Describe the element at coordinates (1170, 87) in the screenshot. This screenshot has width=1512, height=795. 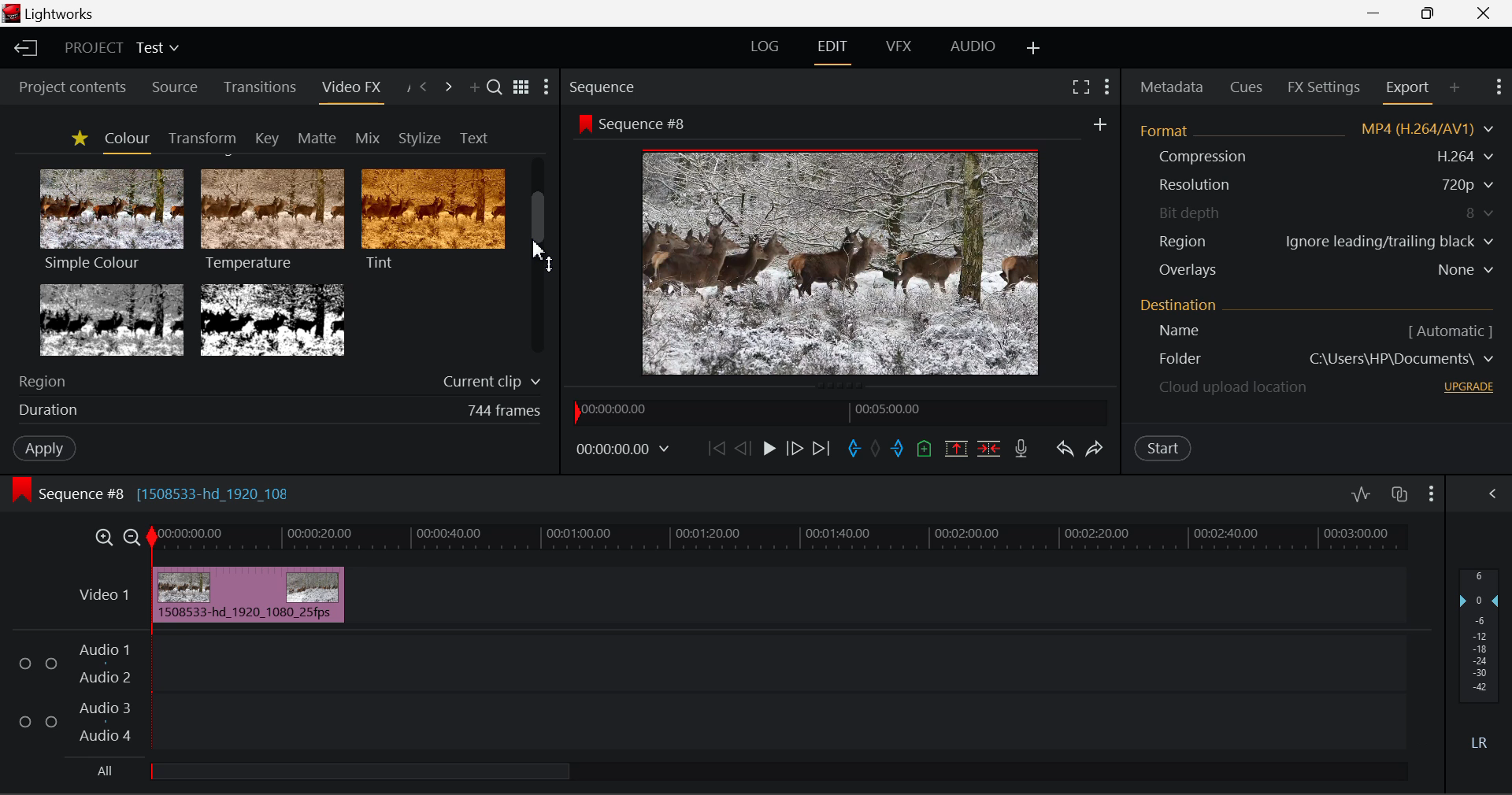
I see `Metadata` at that location.